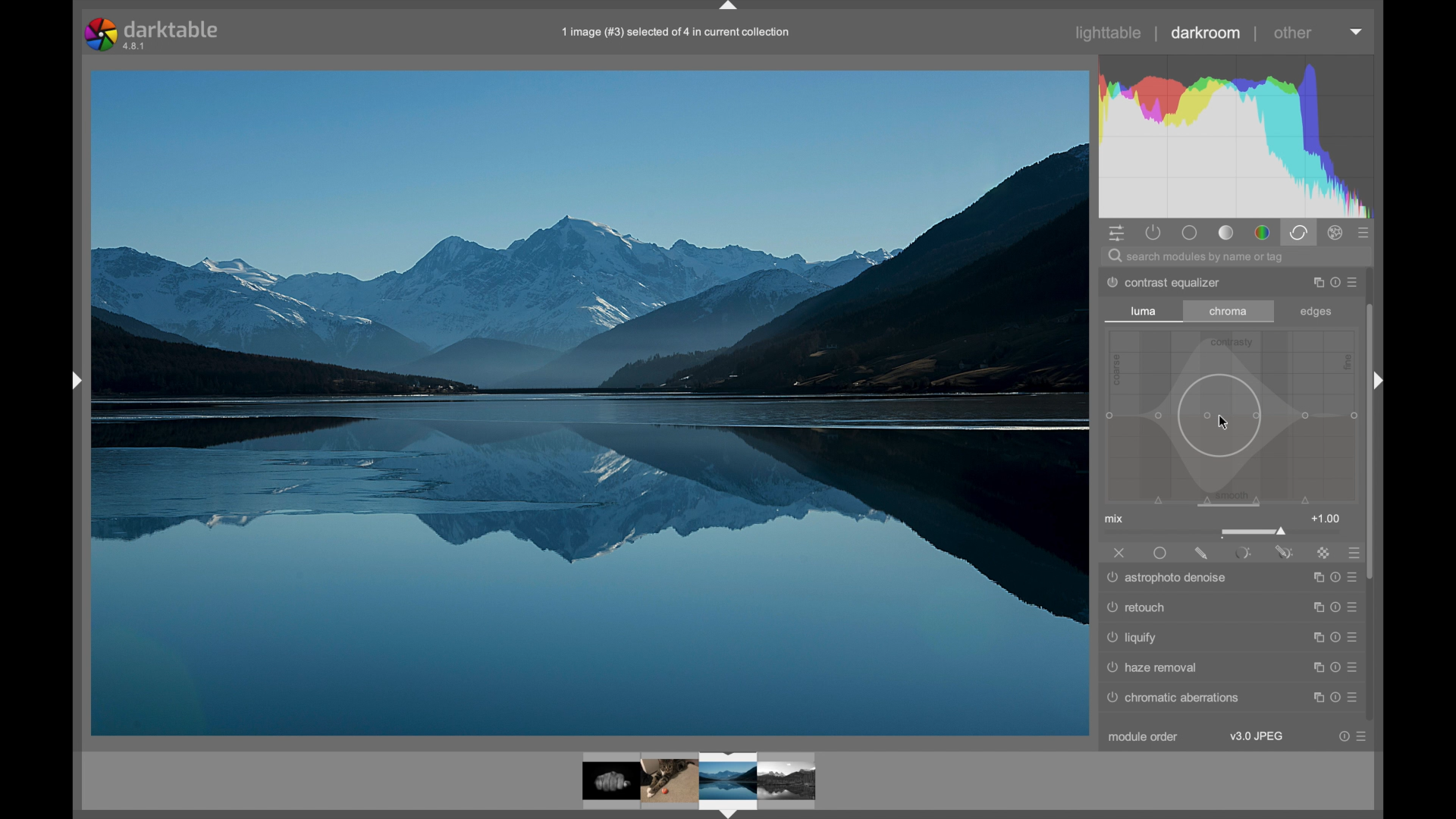  Describe the element at coordinates (1154, 233) in the screenshot. I see `show active  modules only` at that location.